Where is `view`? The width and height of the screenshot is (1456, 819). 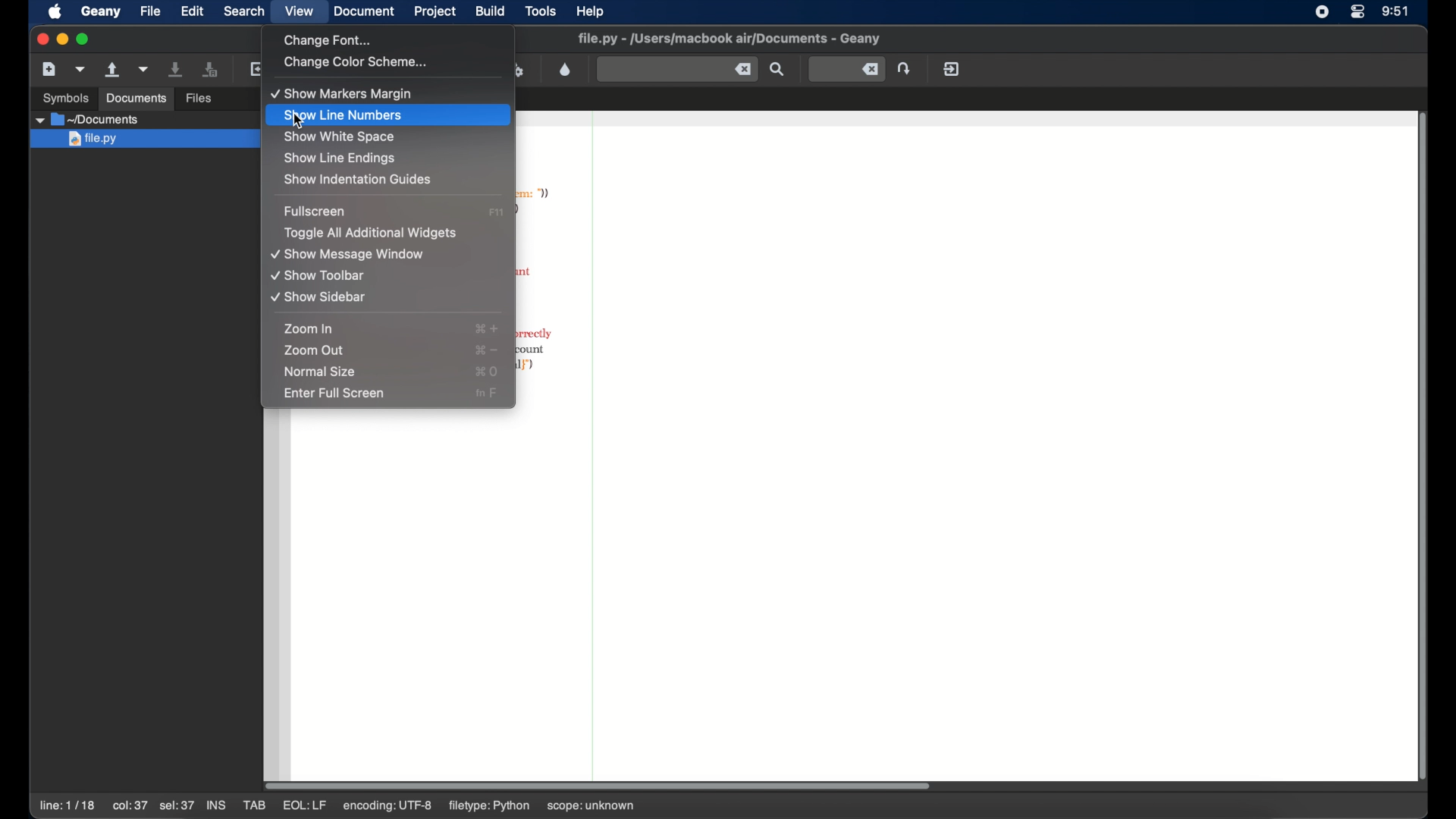
view is located at coordinates (299, 11).